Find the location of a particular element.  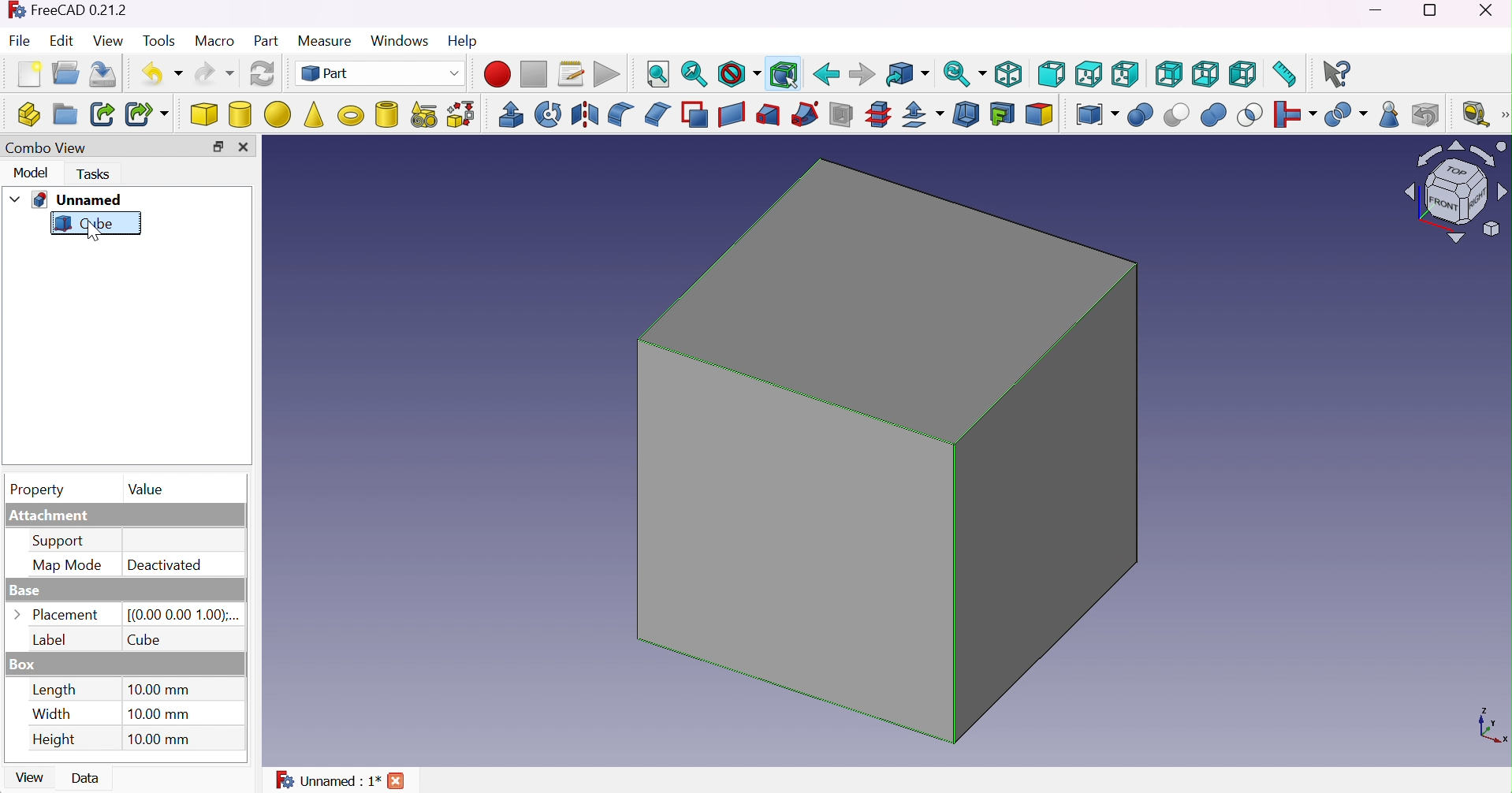

Measure is located at coordinates (326, 41).